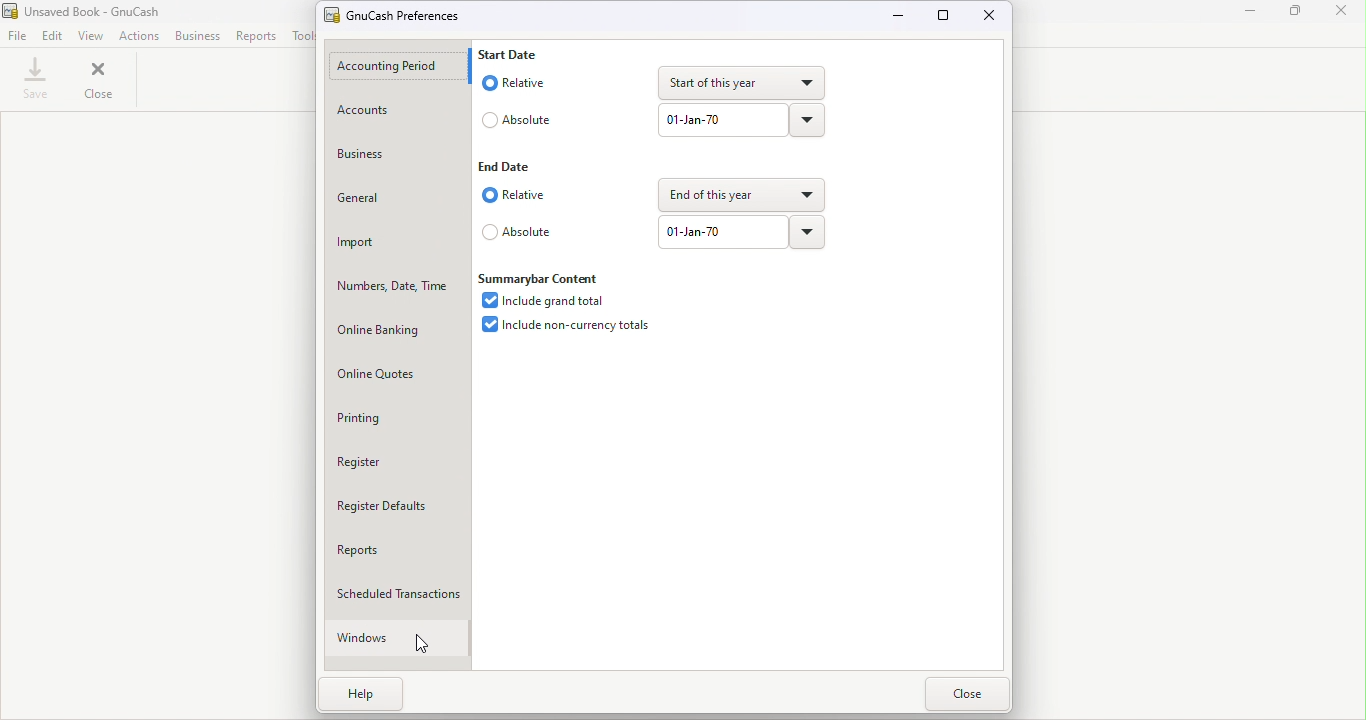 This screenshot has width=1366, height=720. I want to click on Online Banking, so click(399, 330).